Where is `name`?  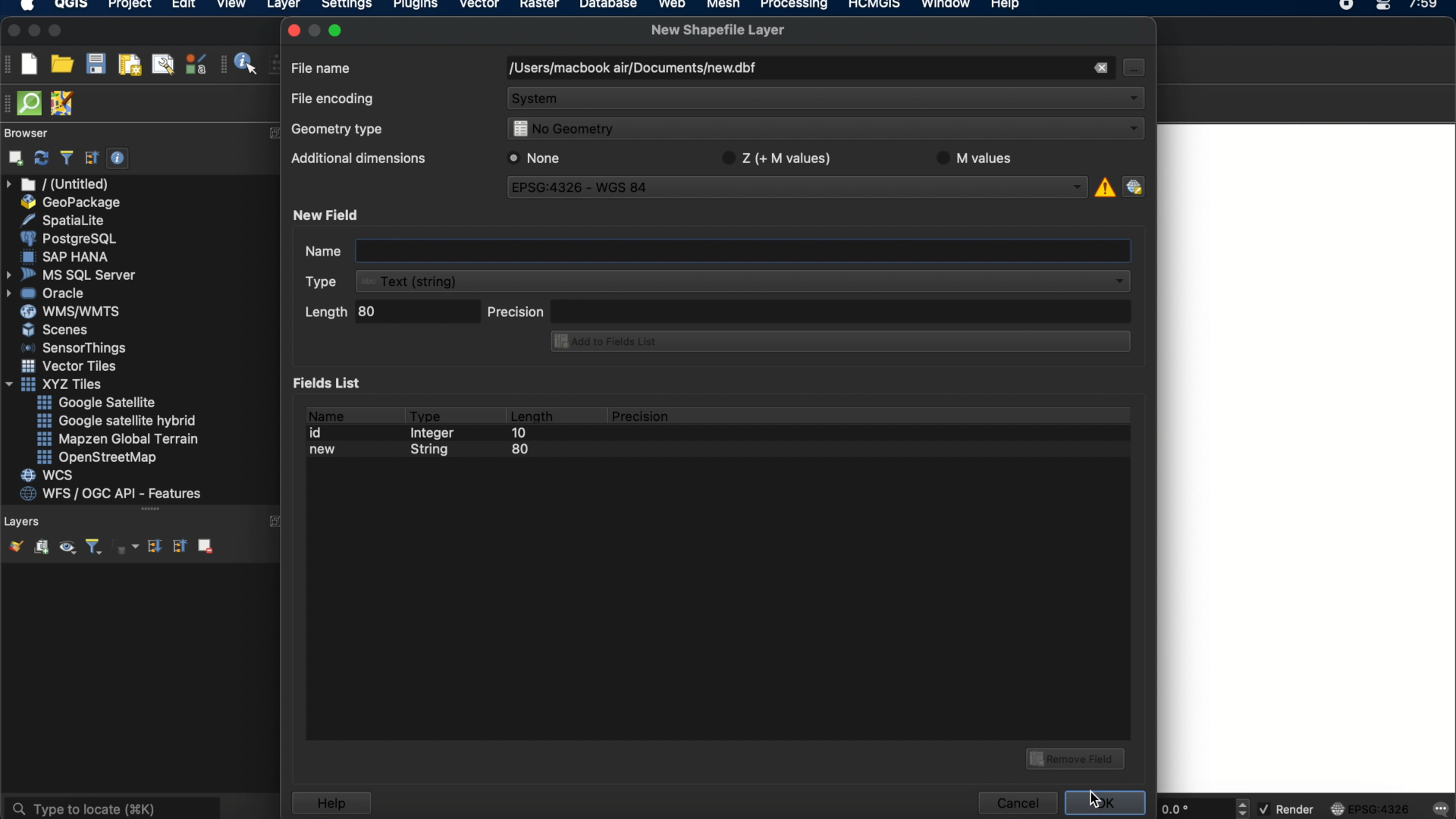
name is located at coordinates (325, 413).